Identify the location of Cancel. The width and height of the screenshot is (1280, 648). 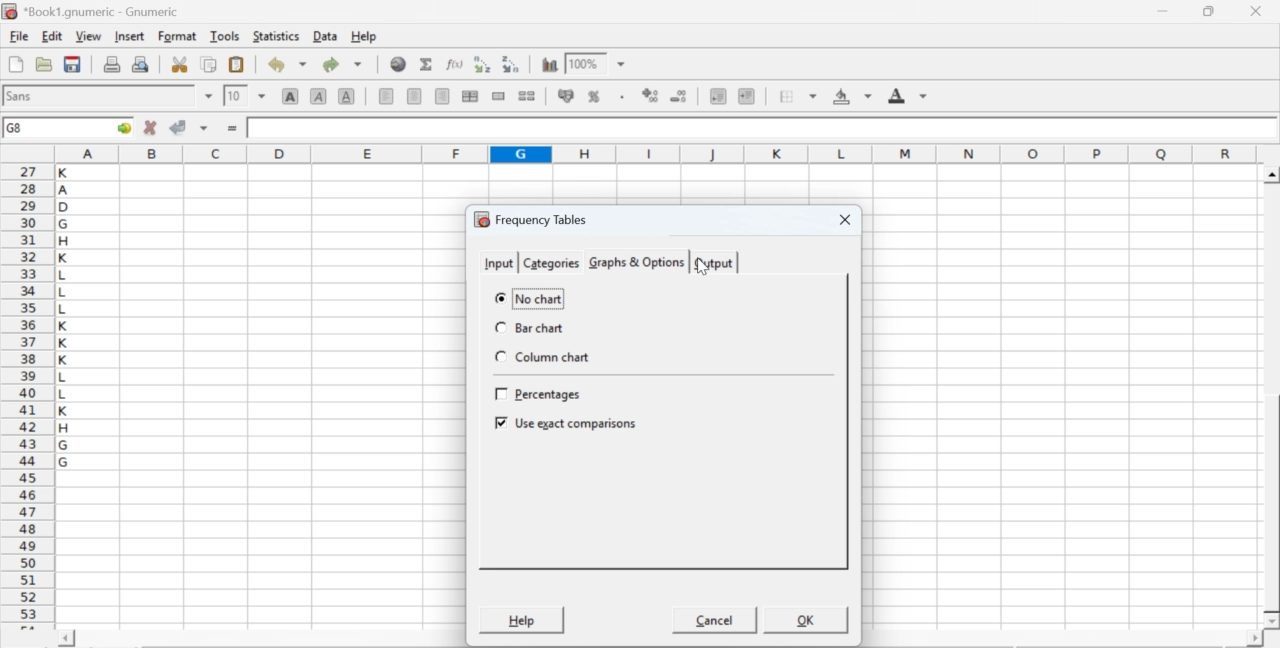
(716, 623).